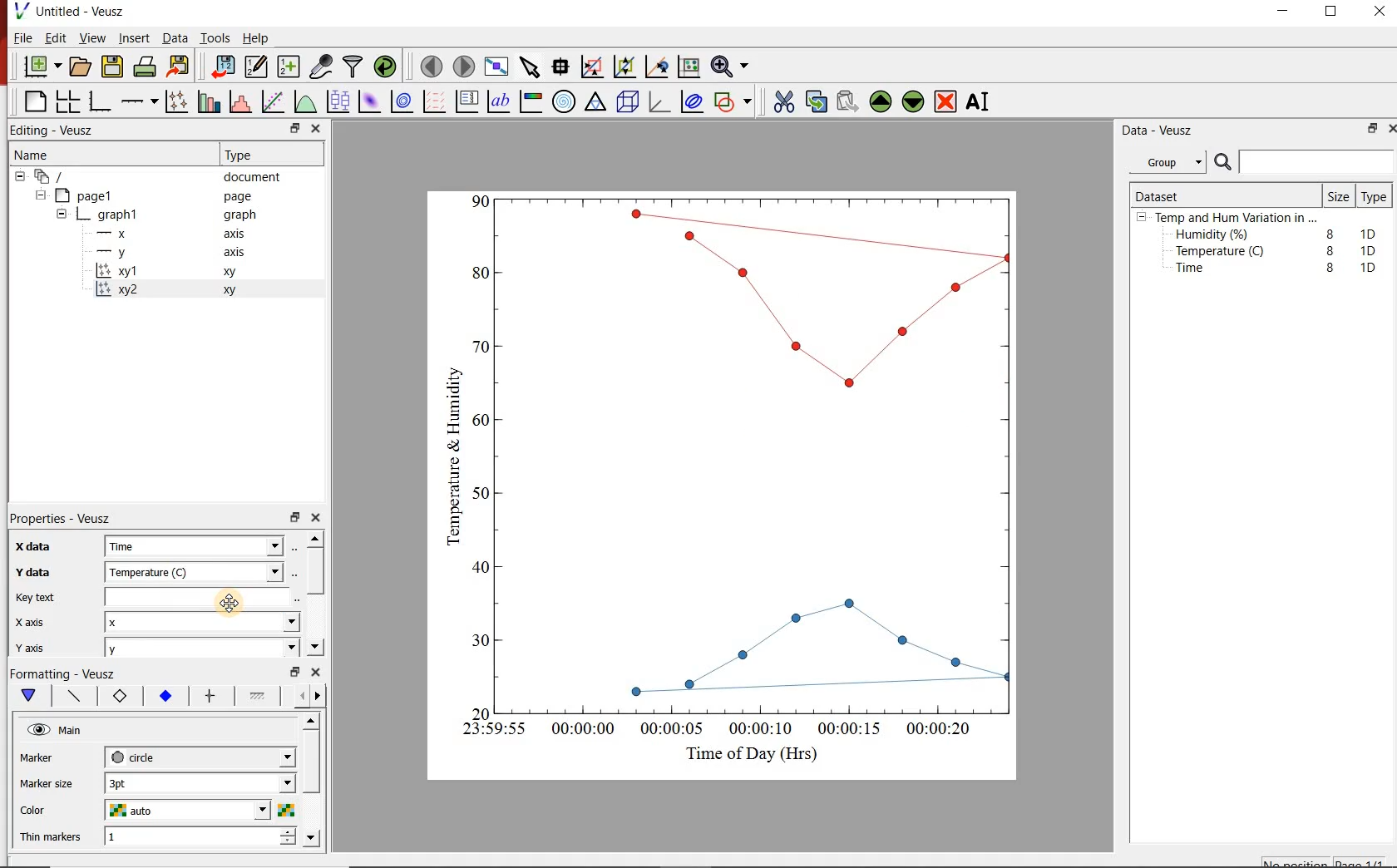 This screenshot has width=1397, height=868. Describe the element at coordinates (241, 197) in the screenshot. I see `page` at that location.